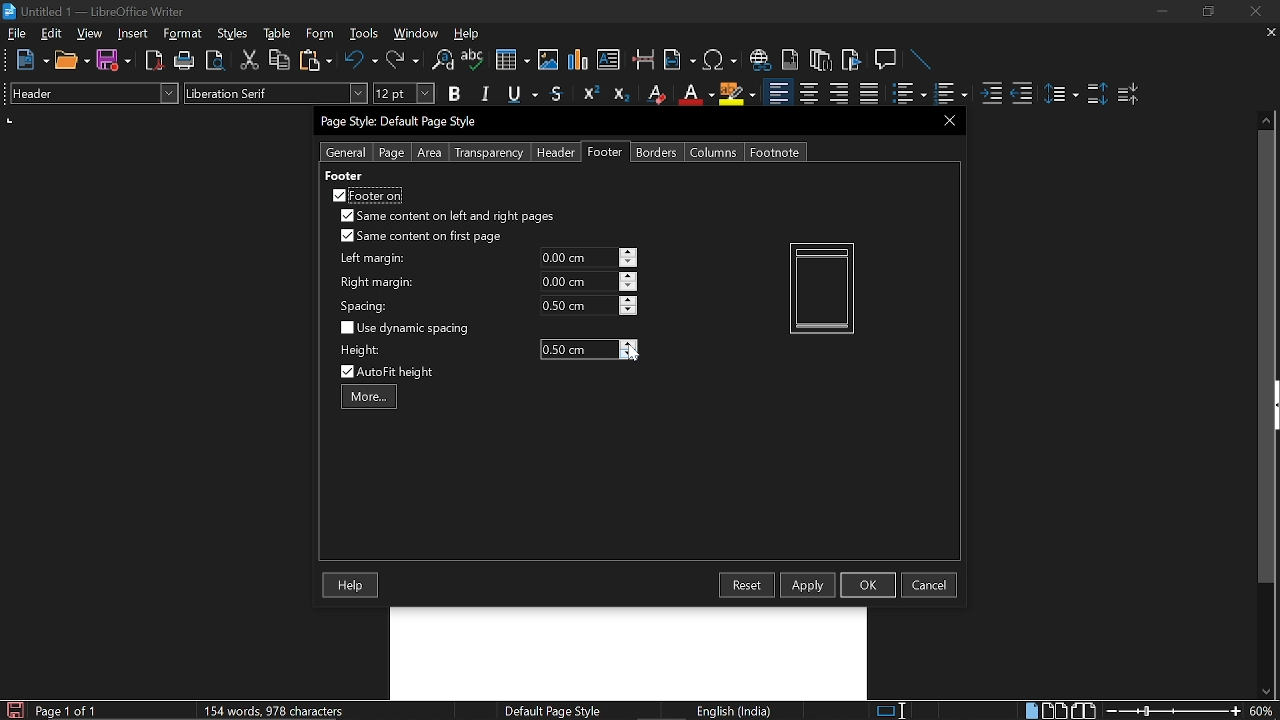 This screenshot has height=720, width=1280. Describe the element at coordinates (370, 259) in the screenshot. I see `left margin` at that location.